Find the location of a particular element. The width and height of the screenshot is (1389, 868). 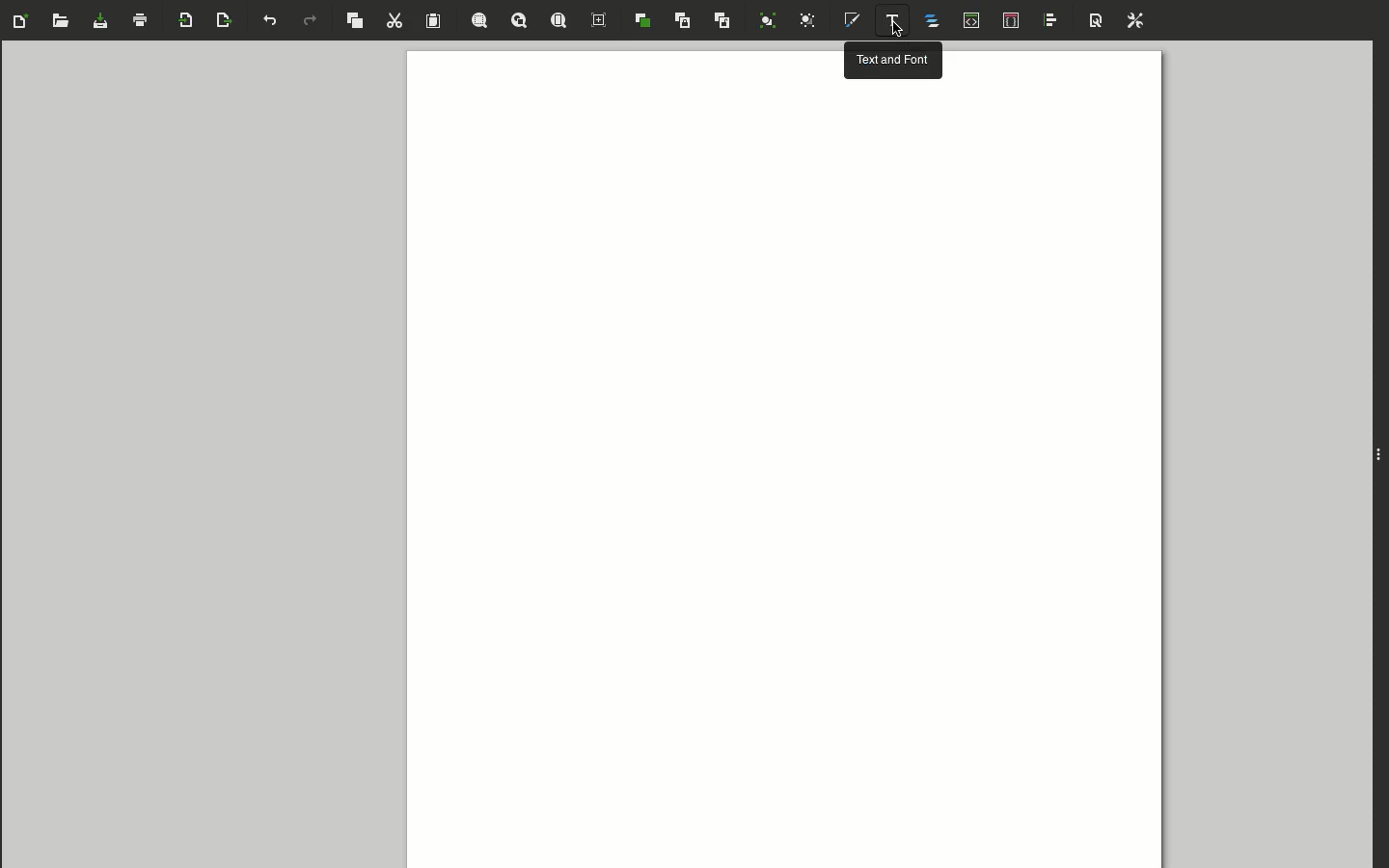

Group is located at coordinates (768, 20).